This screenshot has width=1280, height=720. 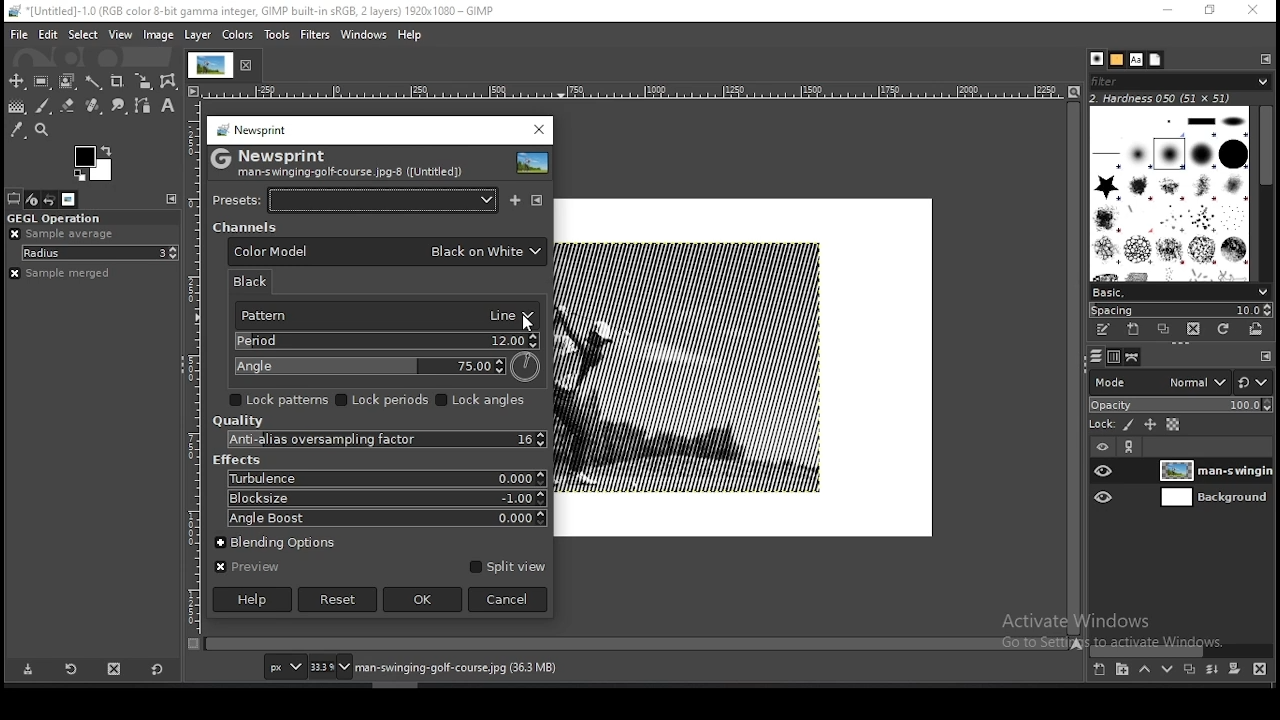 What do you see at coordinates (384, 497) in the screenshot?
I see `blocksize` at bounding box center [384, 497].